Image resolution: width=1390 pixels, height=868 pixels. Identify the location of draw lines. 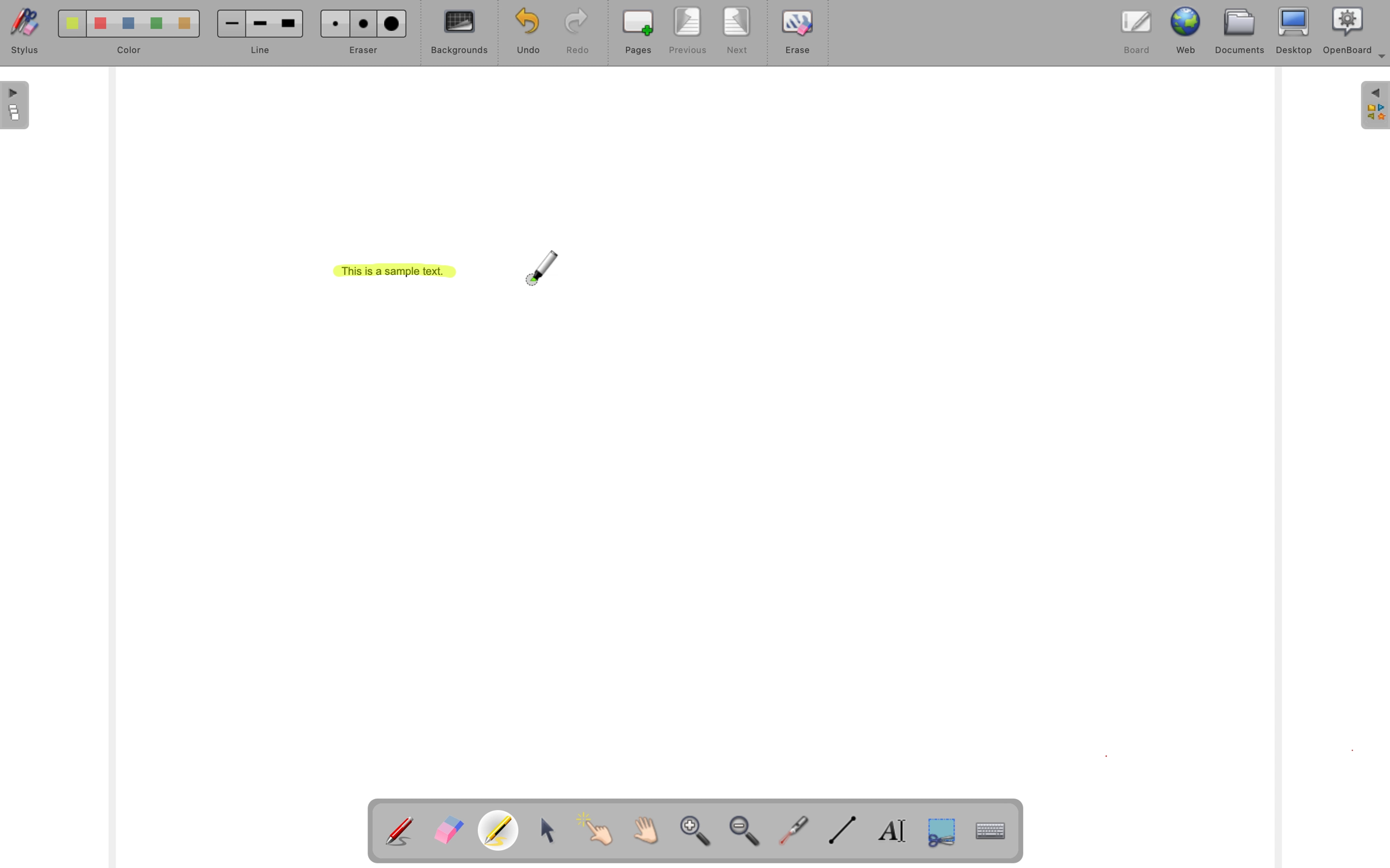
(843, 830).